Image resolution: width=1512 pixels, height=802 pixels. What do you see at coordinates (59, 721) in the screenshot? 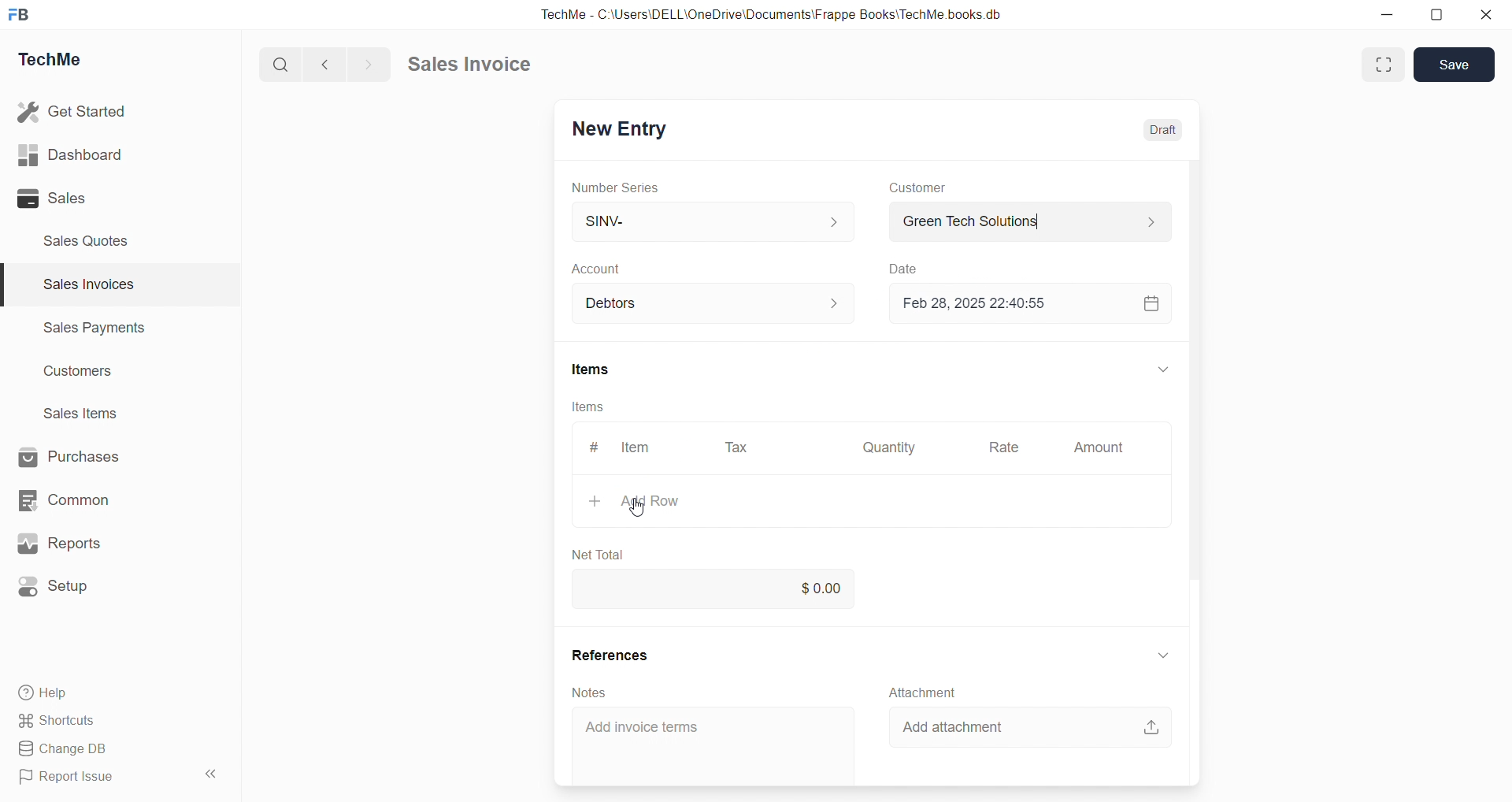
I see `Shortcuts` at bounding box center [59, 721].